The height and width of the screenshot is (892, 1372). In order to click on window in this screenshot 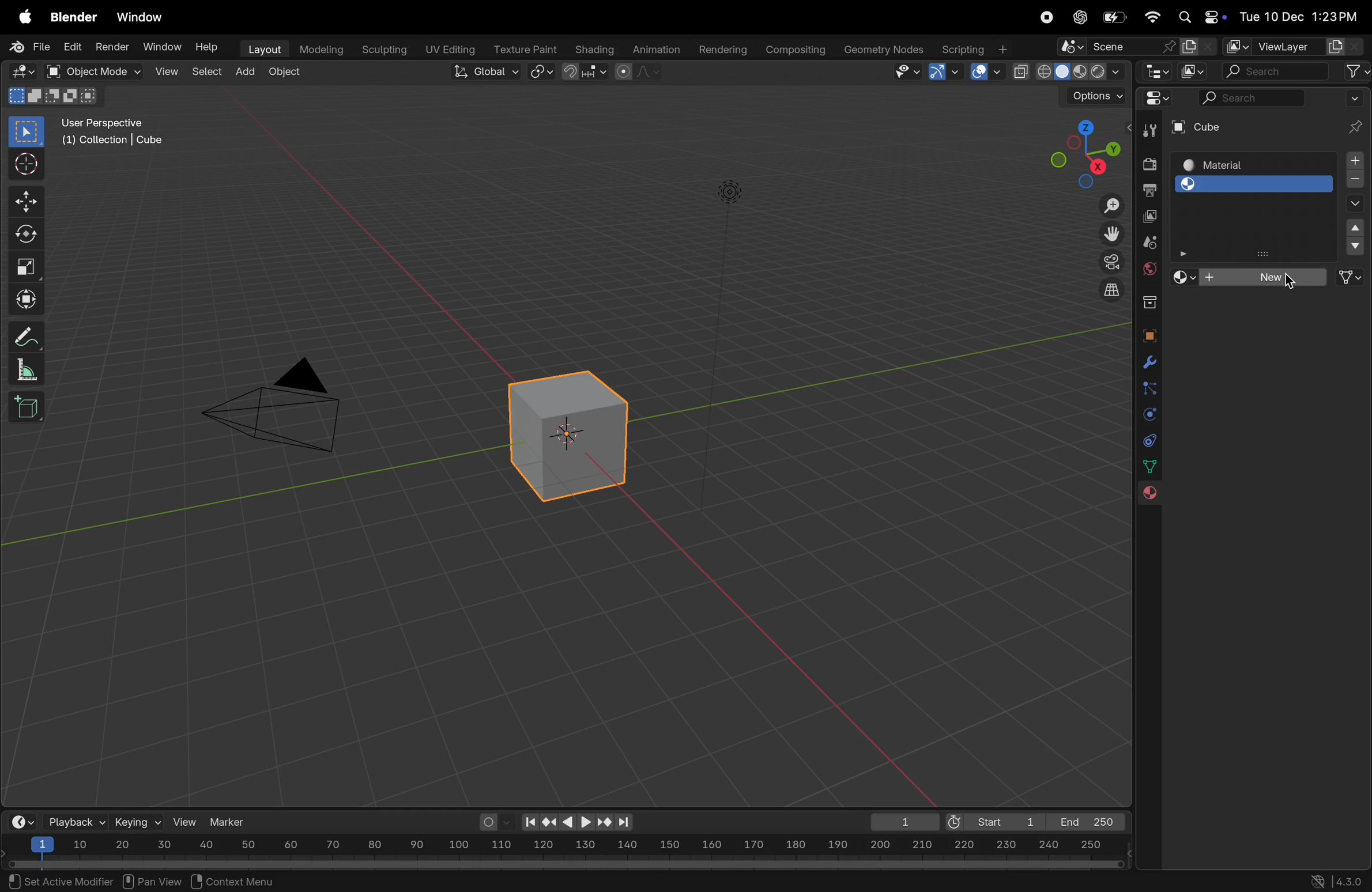, I will do `click(144, 18)`.